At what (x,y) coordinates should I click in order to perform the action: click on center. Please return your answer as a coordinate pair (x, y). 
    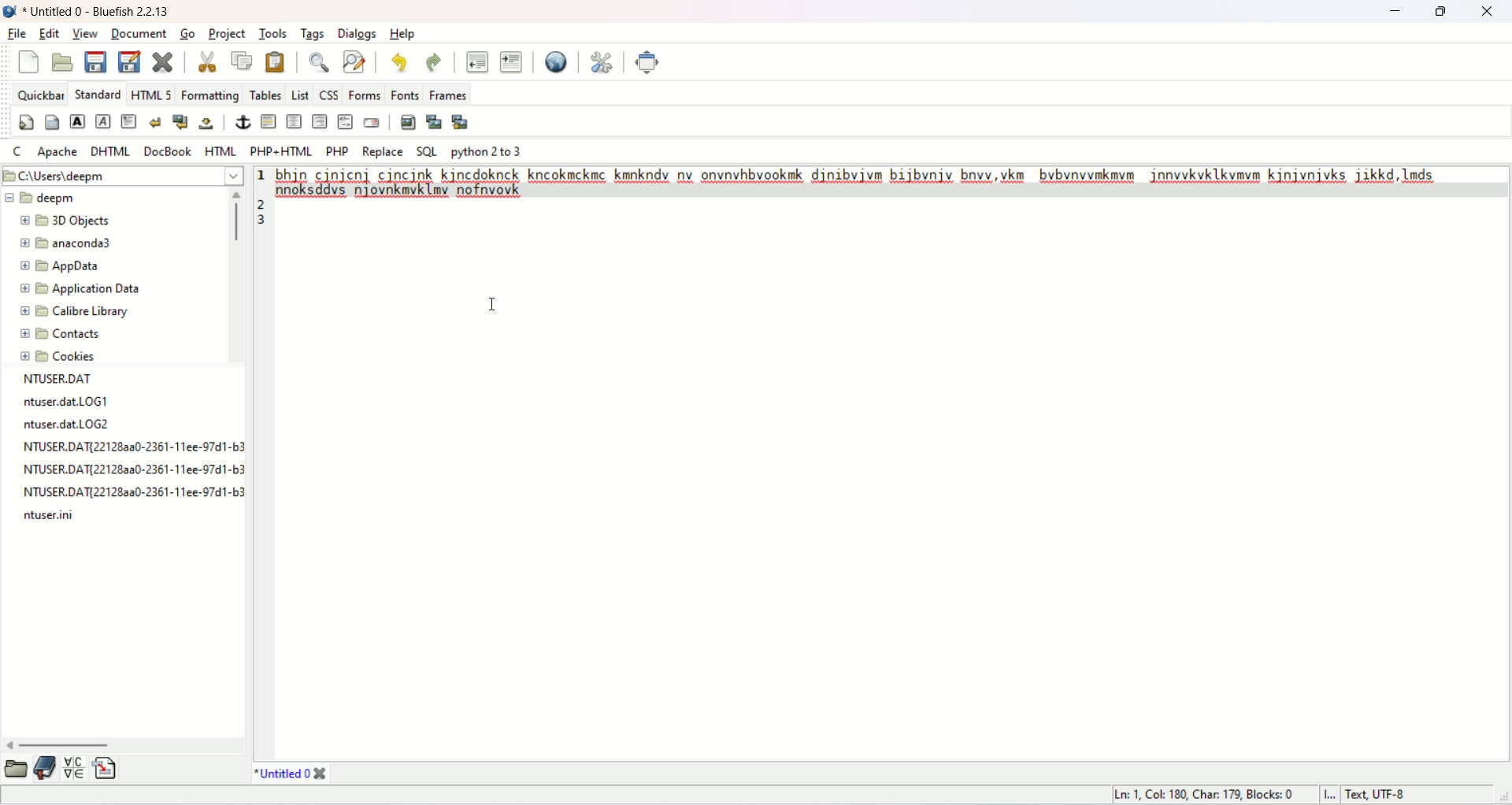
    Looking at the image, I should click on (295, 122).